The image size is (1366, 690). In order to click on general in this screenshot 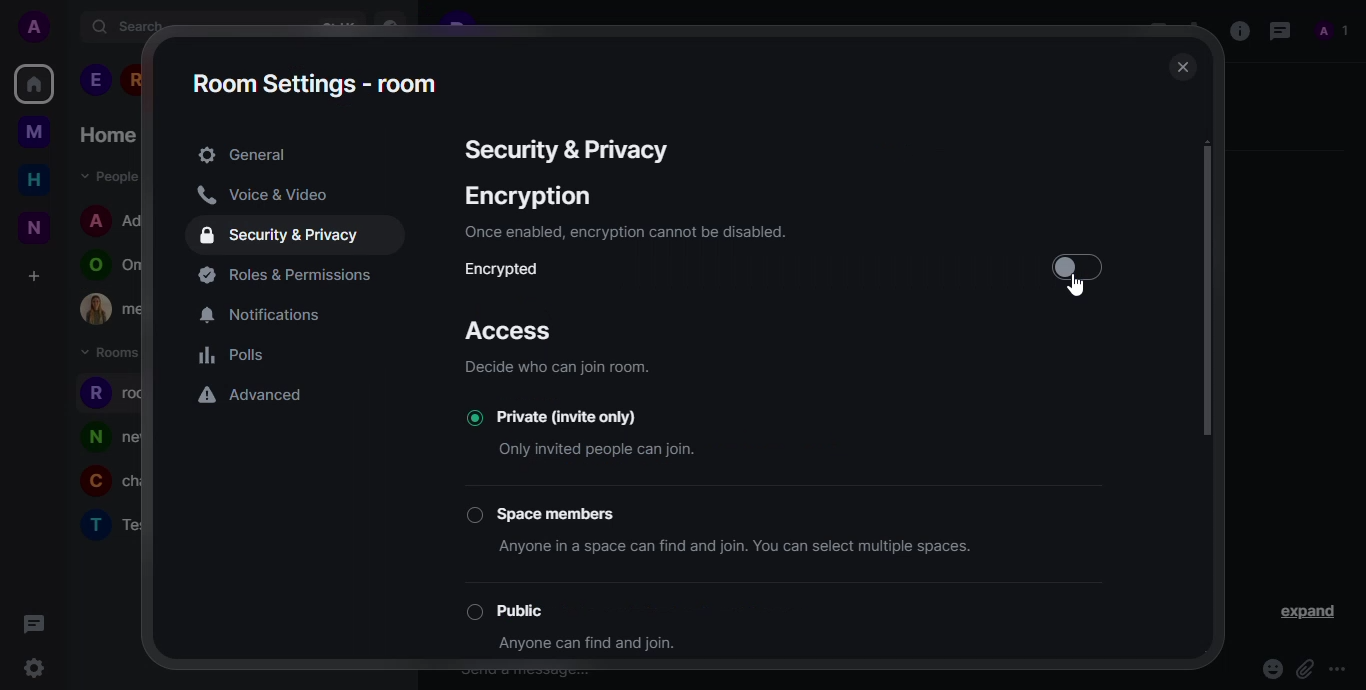, I will do `click(242, 155)`.